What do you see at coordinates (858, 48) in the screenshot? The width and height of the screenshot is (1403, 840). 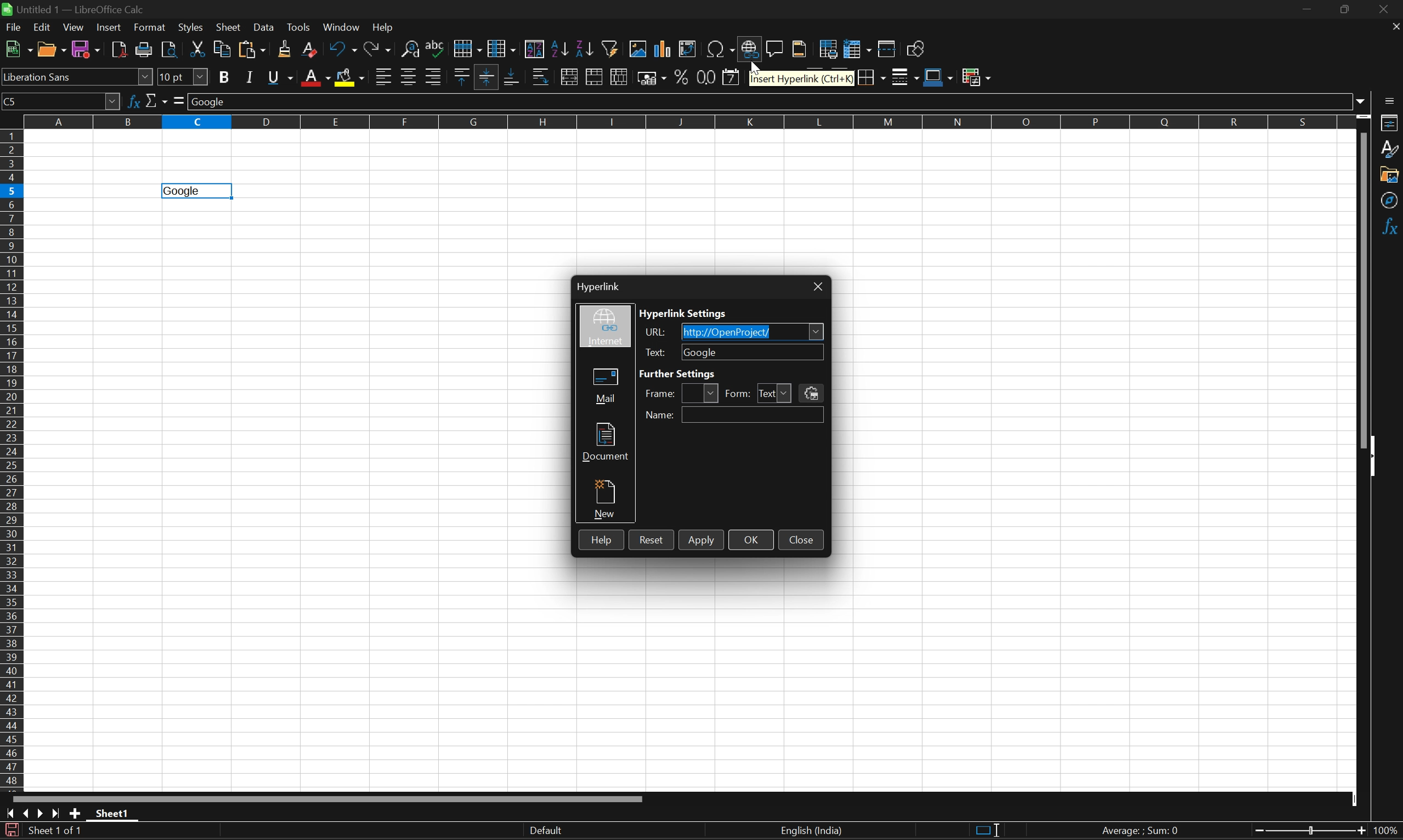 I see `Freeze rows and columns` at bounding box center [858, 48].